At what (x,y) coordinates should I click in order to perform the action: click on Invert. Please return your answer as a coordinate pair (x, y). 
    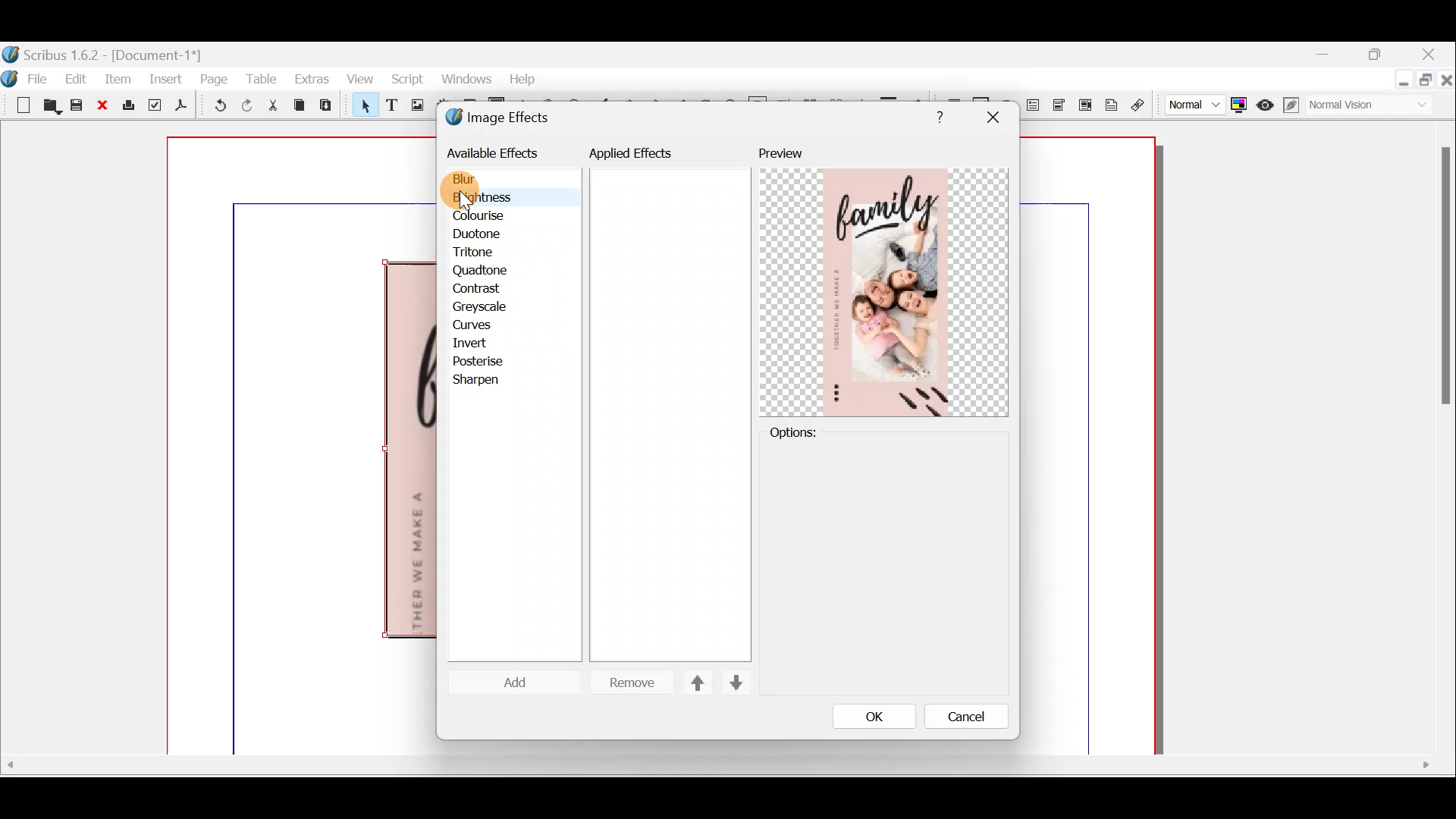
    Looking at the image, I should click on (484, 343).